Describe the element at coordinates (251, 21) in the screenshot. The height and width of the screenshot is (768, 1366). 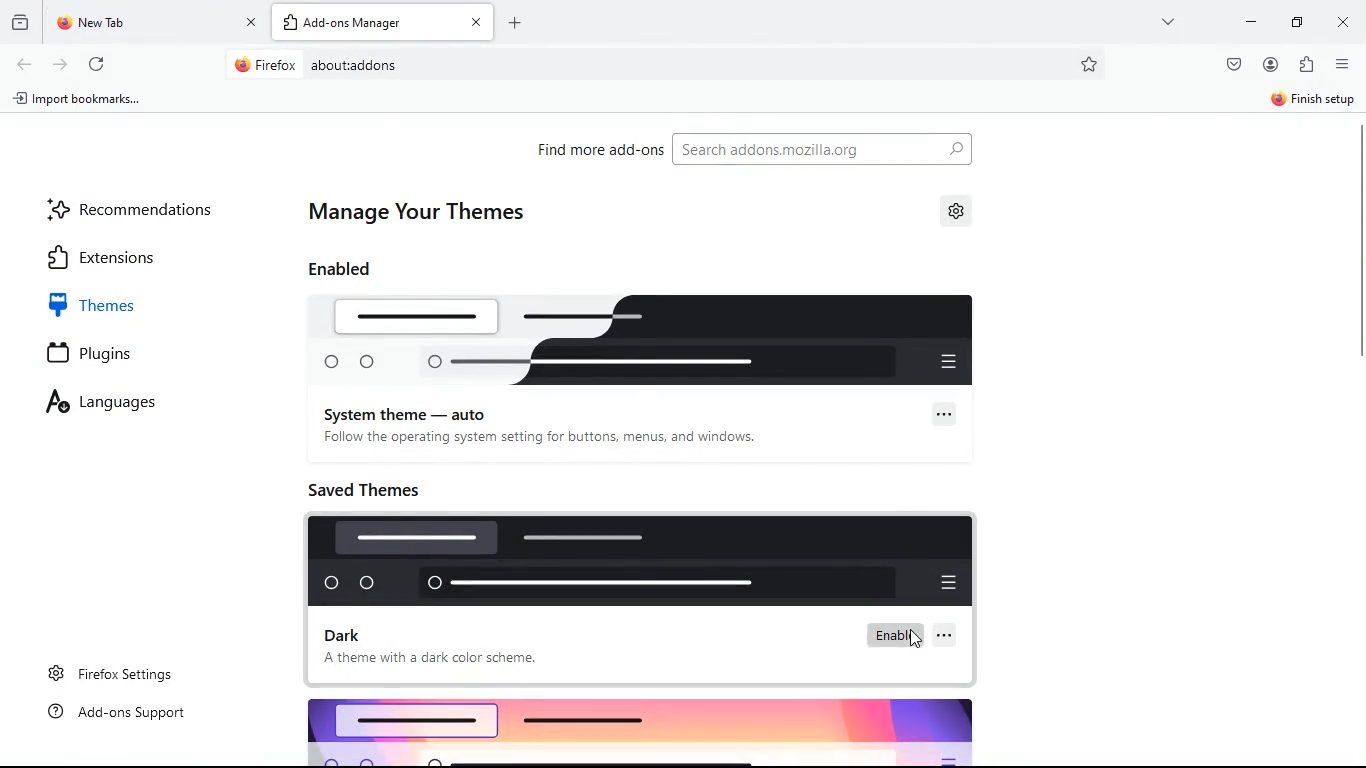
I see `close` at that location.